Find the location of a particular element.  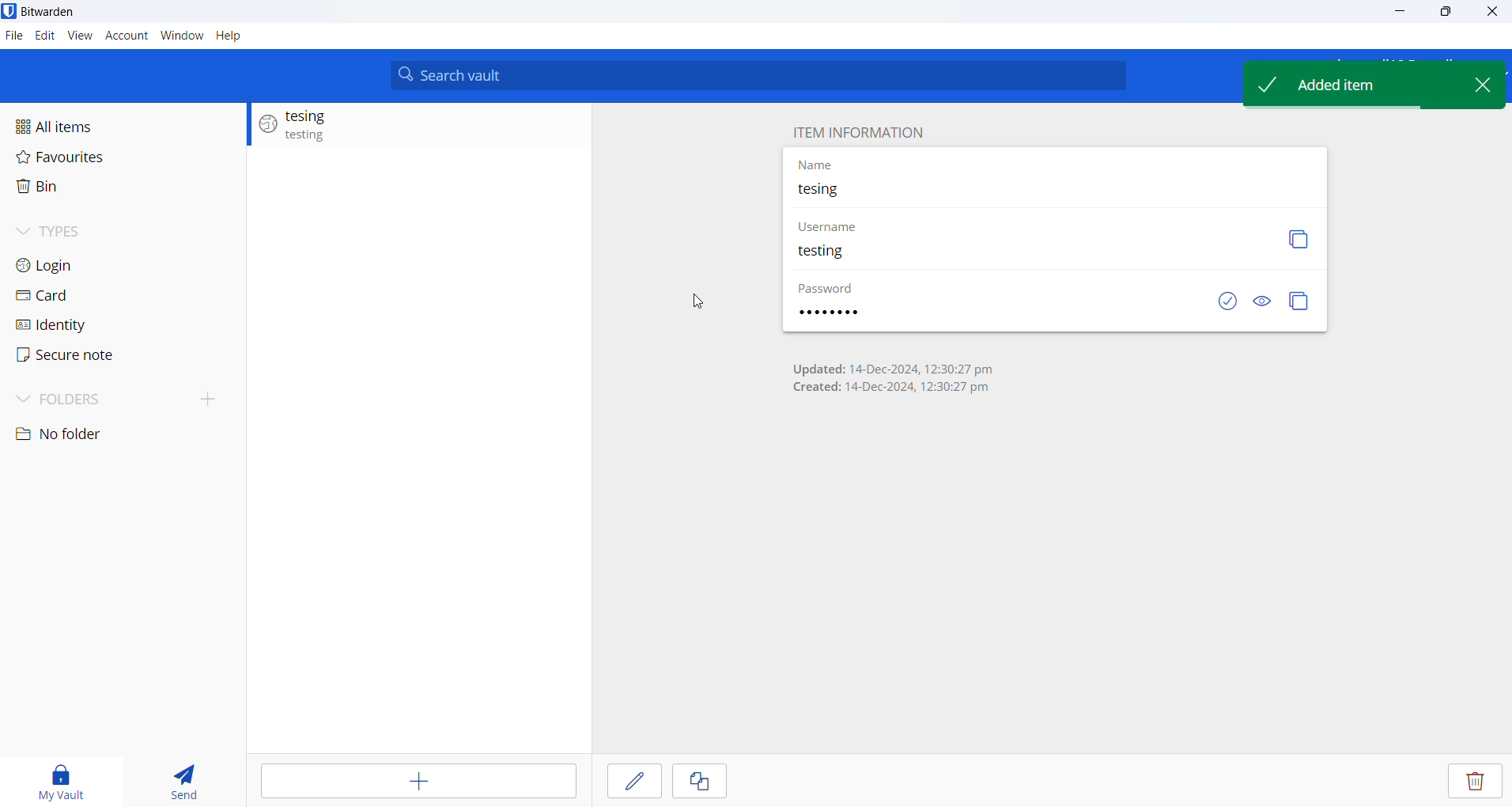

name is located at coordinates (1035, 189).